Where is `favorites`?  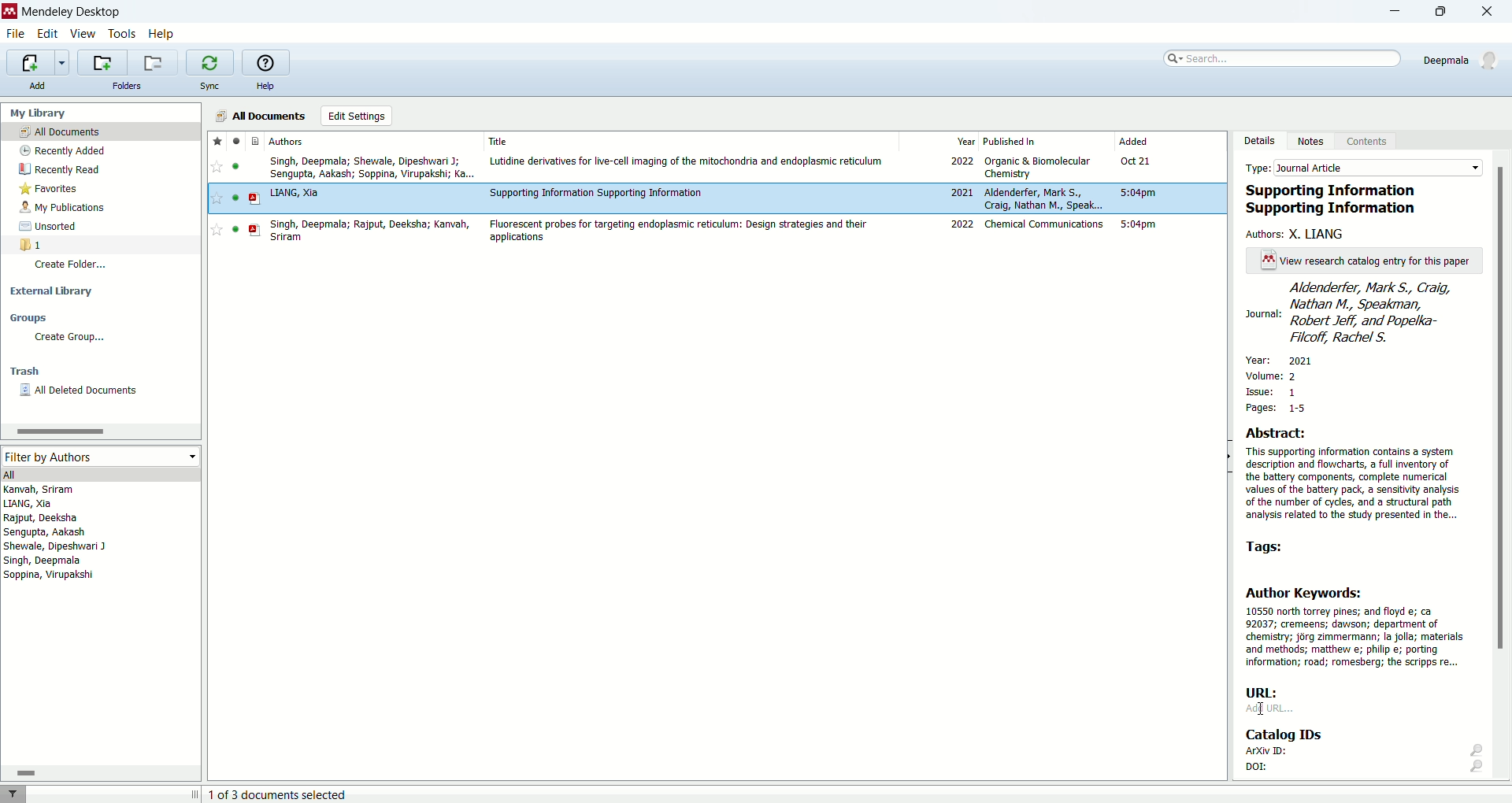 favorites is located at coordinates (217, 141).